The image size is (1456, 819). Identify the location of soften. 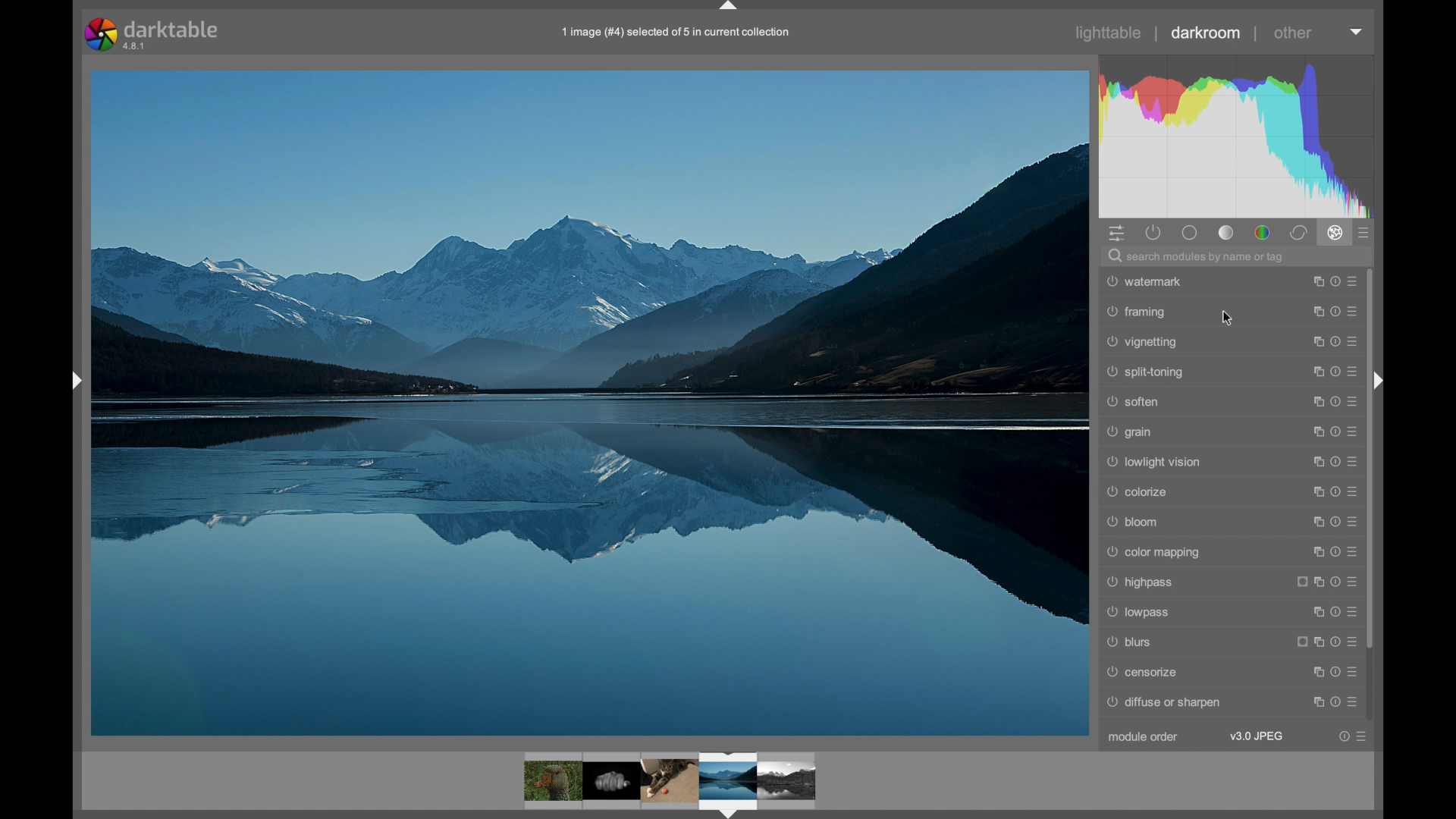
(1133, 401).